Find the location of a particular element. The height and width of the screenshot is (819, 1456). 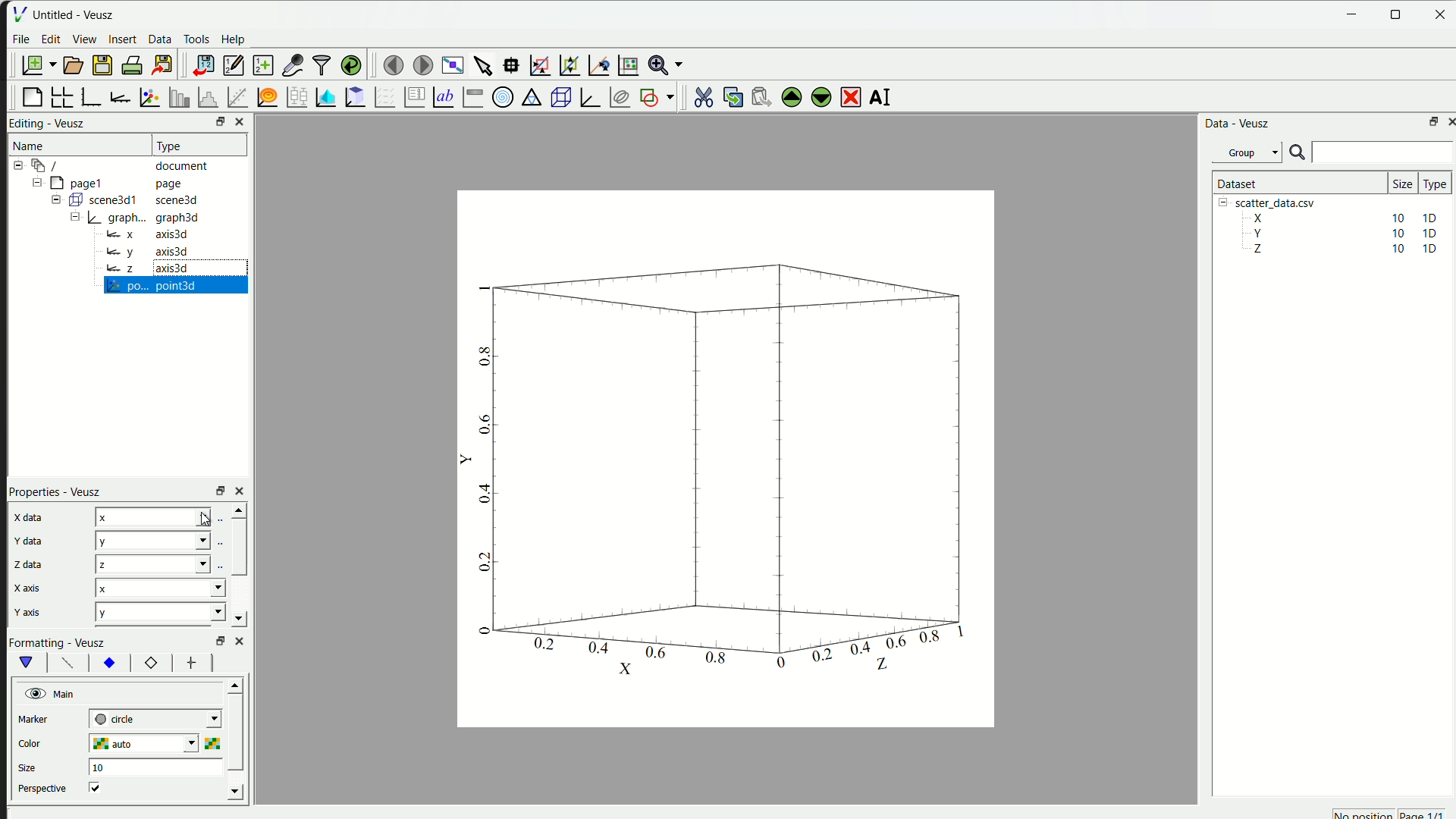

reload linked dataset is located at coordinates (352, 64).